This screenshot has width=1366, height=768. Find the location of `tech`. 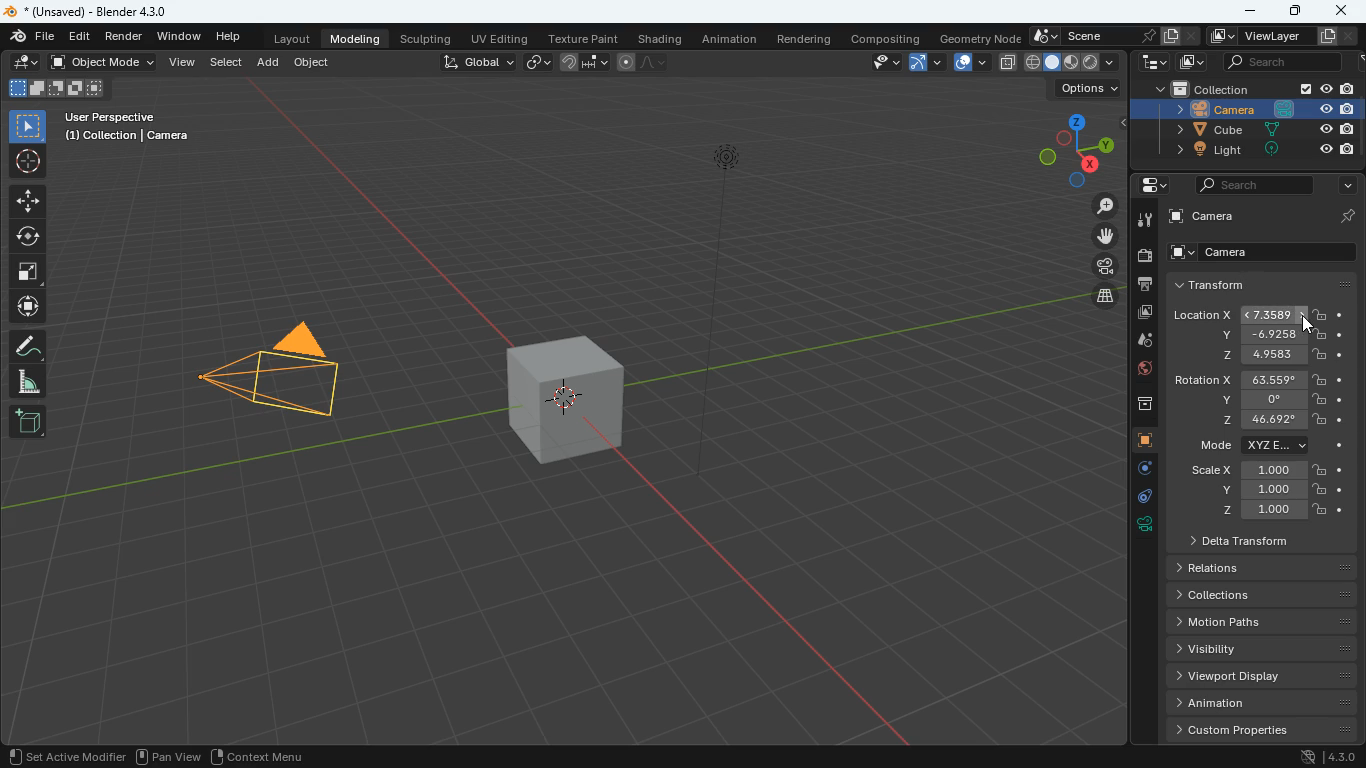

tech is located at coordinates (1152, 63).